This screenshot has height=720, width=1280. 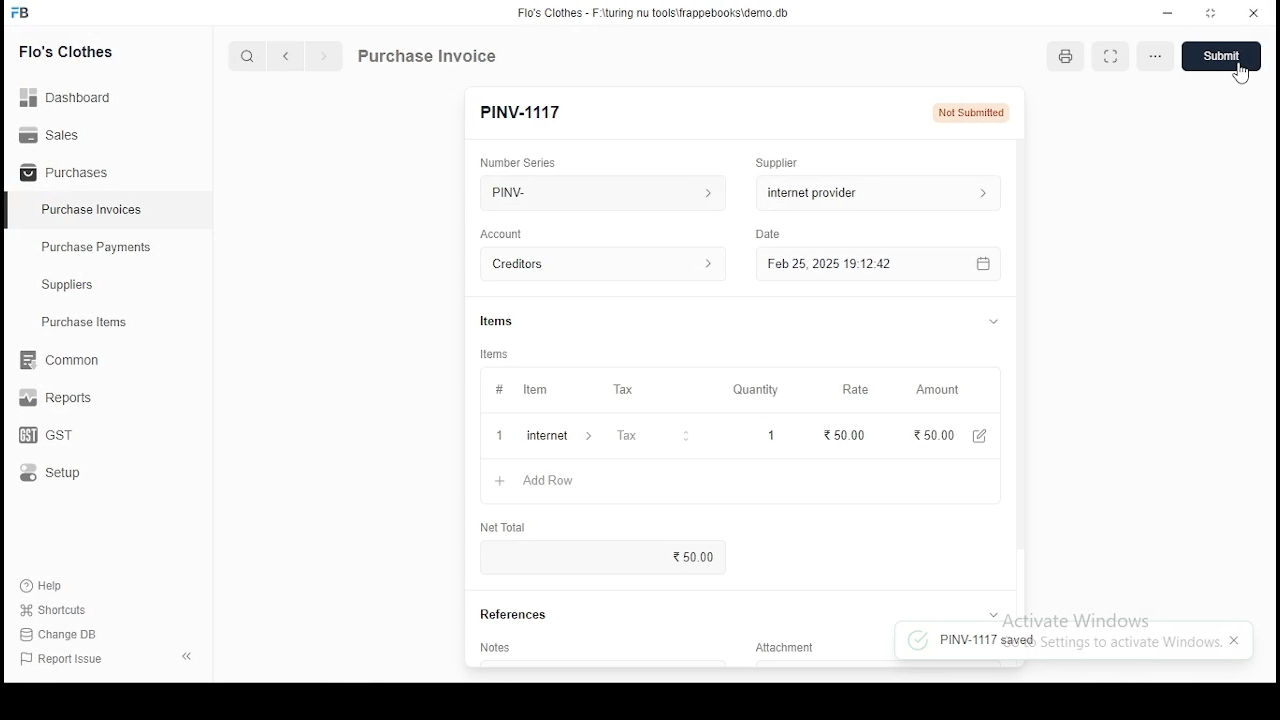 What do you see at coordinates (515, 615) in the screenshot?
I see `references` at bounding box center [515, 615].